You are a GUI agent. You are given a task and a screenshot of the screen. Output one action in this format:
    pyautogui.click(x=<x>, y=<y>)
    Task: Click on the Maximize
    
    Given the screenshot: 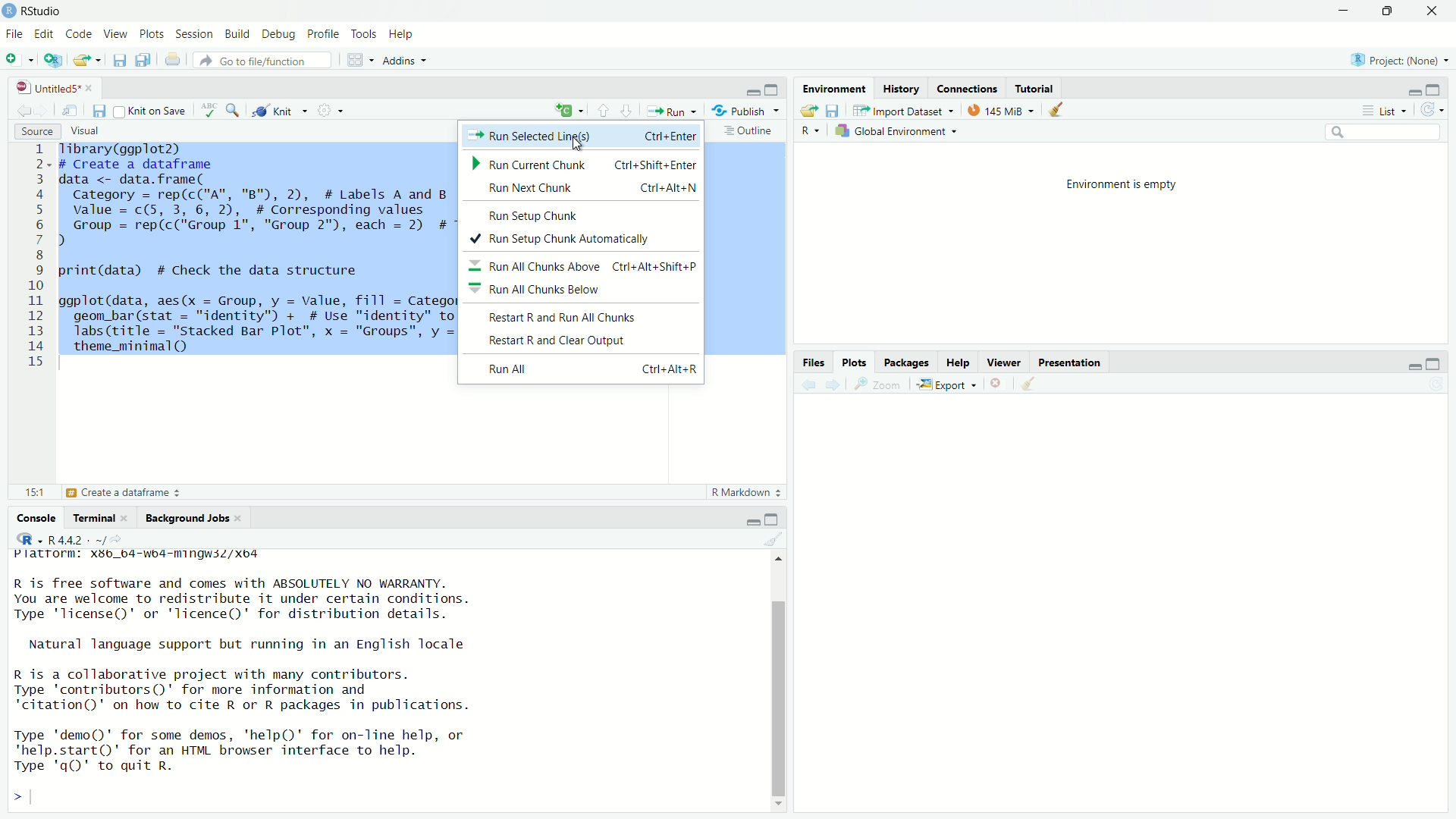 What is the action you would take?
    pyautogui.click(x=1436, y=89)
    